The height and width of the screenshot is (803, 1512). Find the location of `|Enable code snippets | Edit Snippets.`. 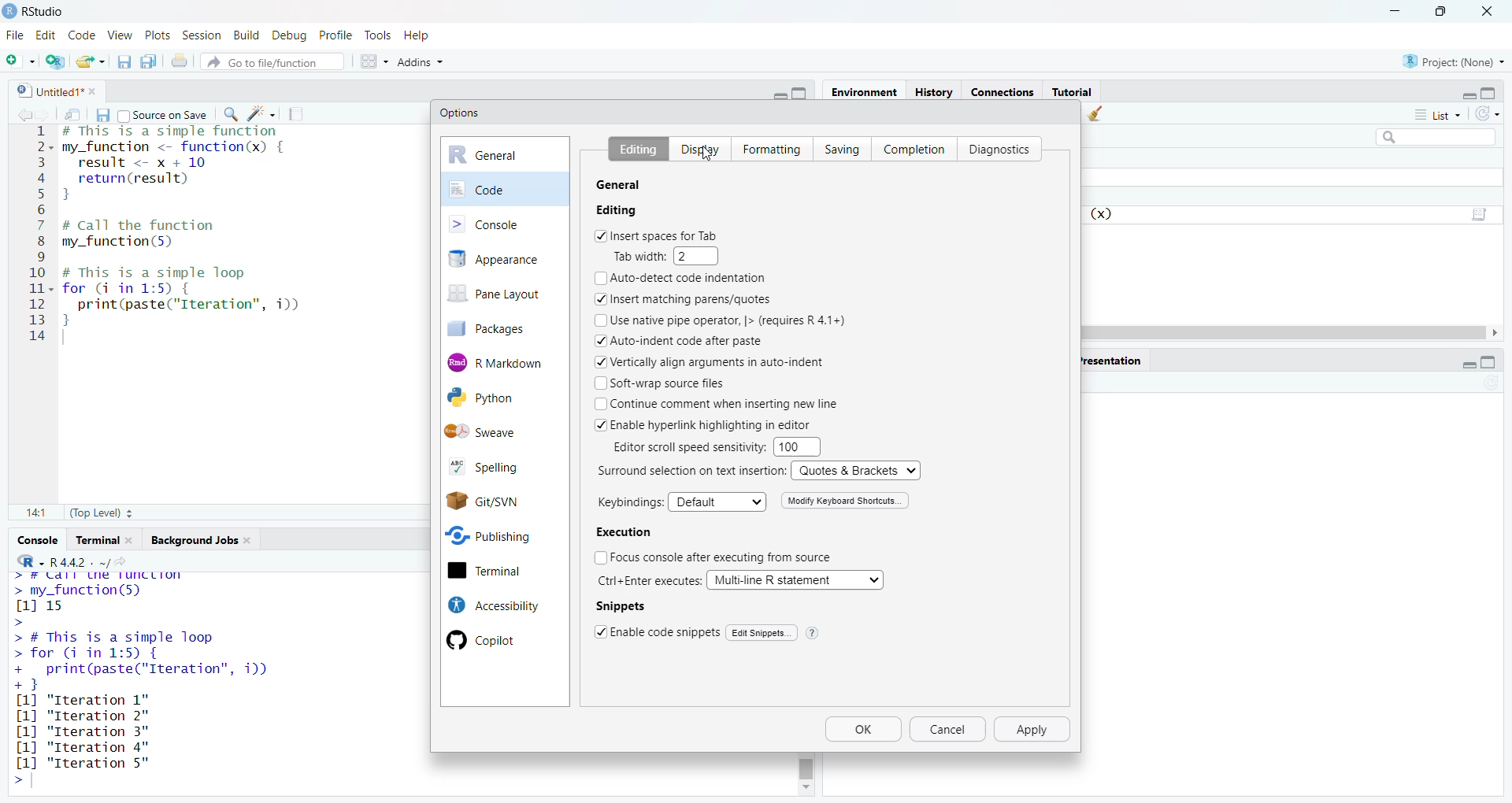

|Enable code snippets | Edit Snippets. is located at coordinates (693, 632).